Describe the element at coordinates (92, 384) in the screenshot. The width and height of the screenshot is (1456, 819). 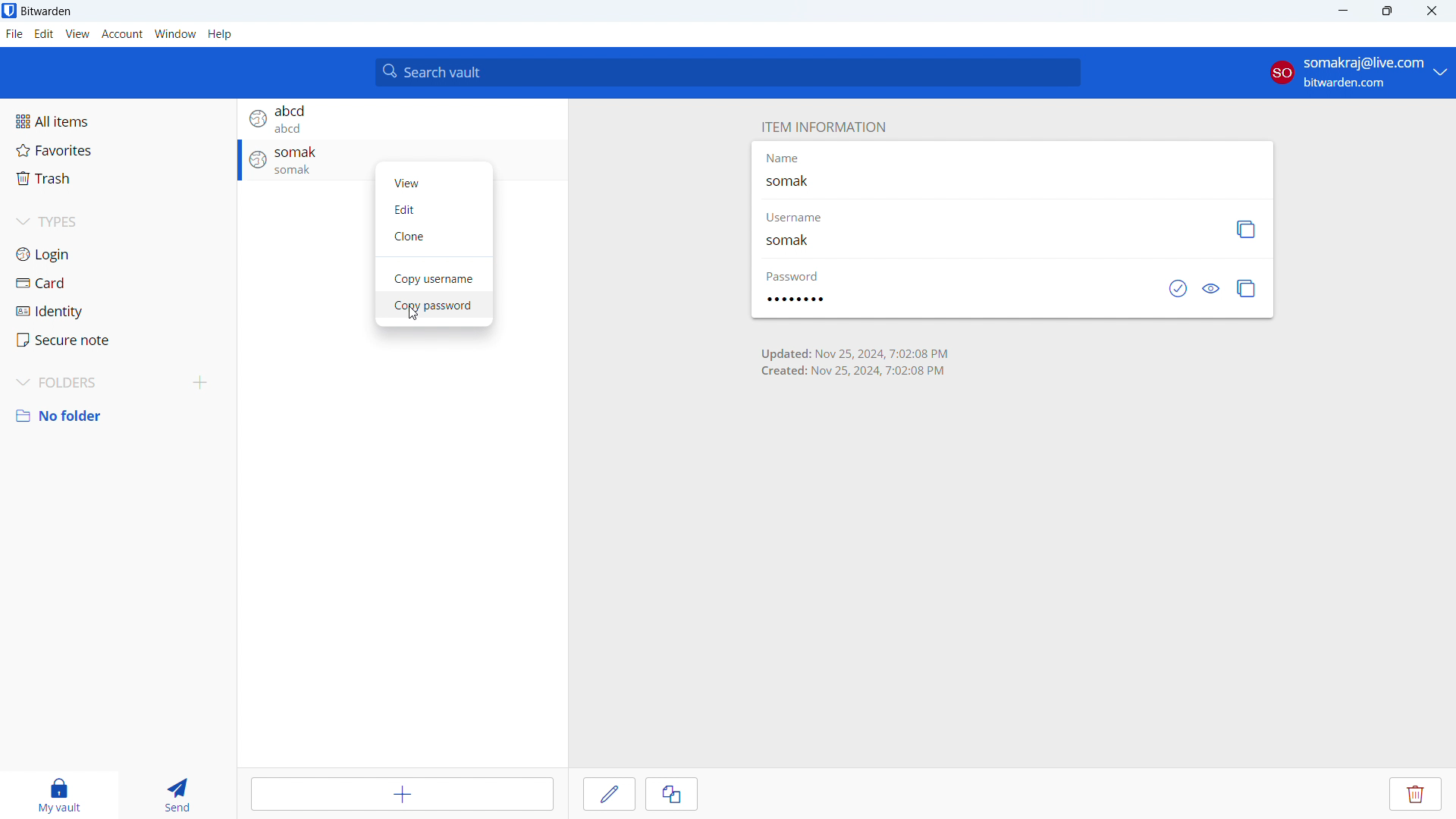
I see `folders` at that location.